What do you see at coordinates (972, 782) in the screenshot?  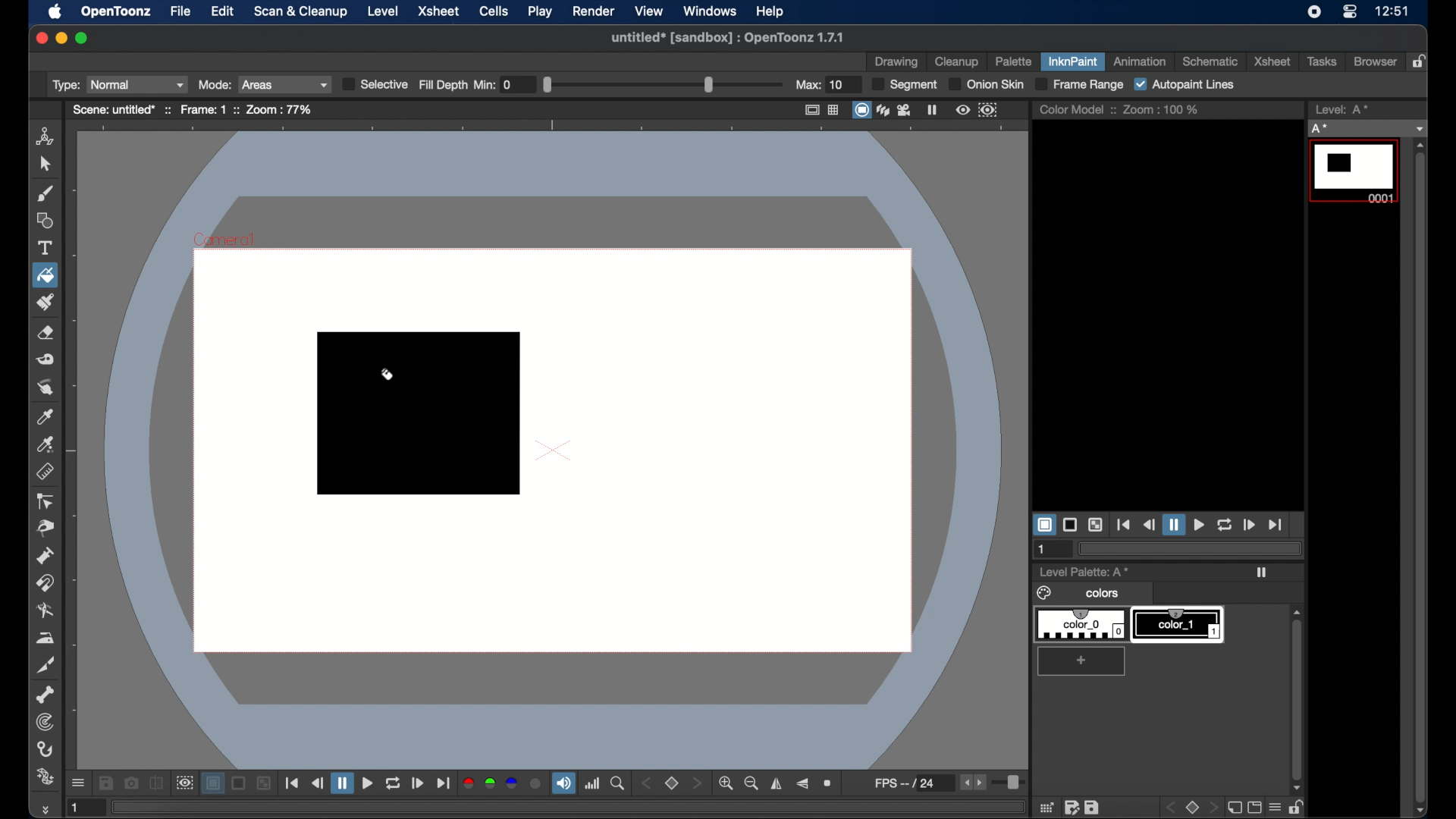 I see `stepper buttons` at bounding box center [972, 782].